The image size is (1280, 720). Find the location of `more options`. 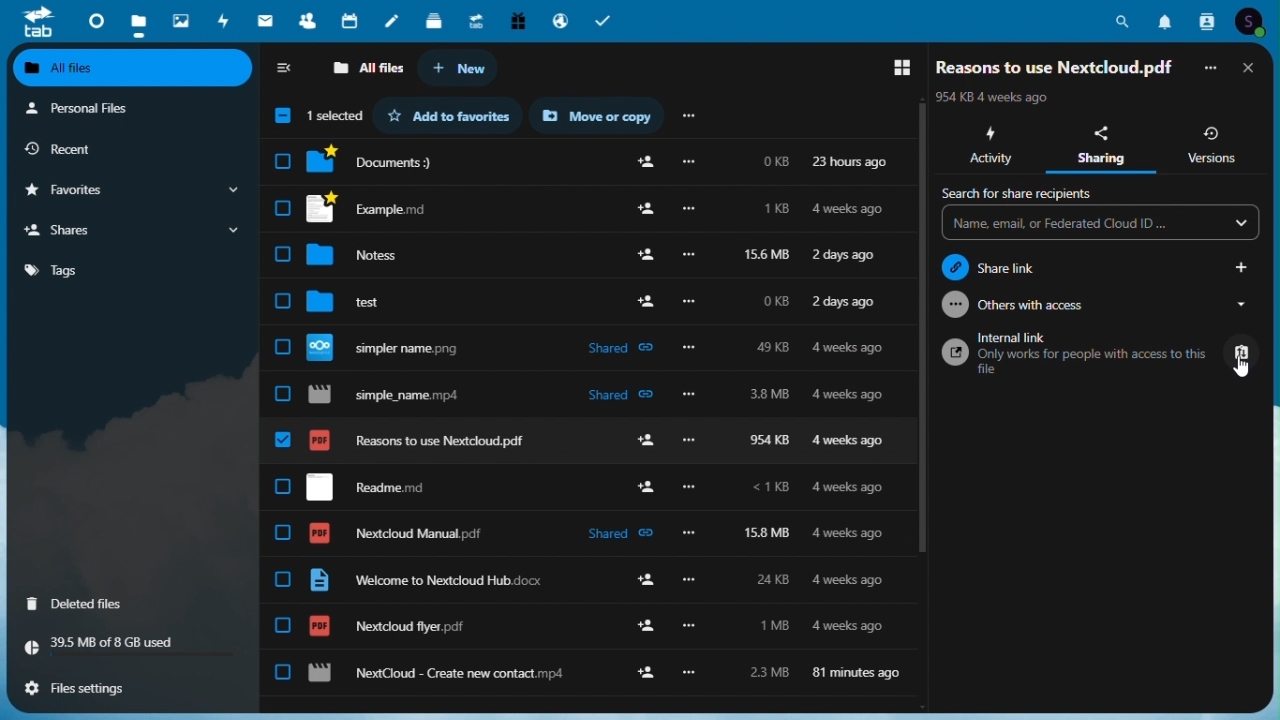

more options is located at coordinates (692, 628).